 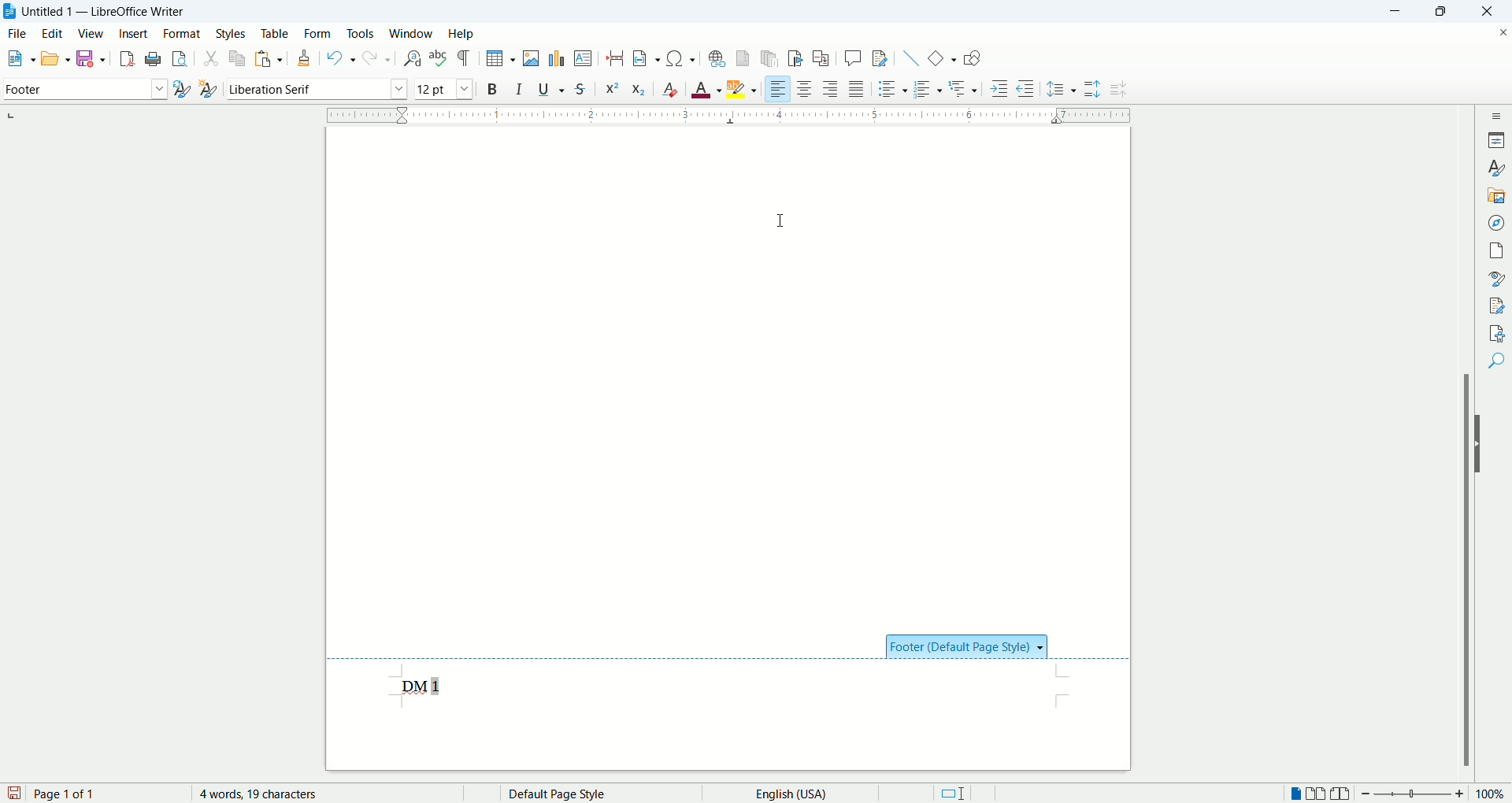 I want to click on edit, so click(x=55, y=33).